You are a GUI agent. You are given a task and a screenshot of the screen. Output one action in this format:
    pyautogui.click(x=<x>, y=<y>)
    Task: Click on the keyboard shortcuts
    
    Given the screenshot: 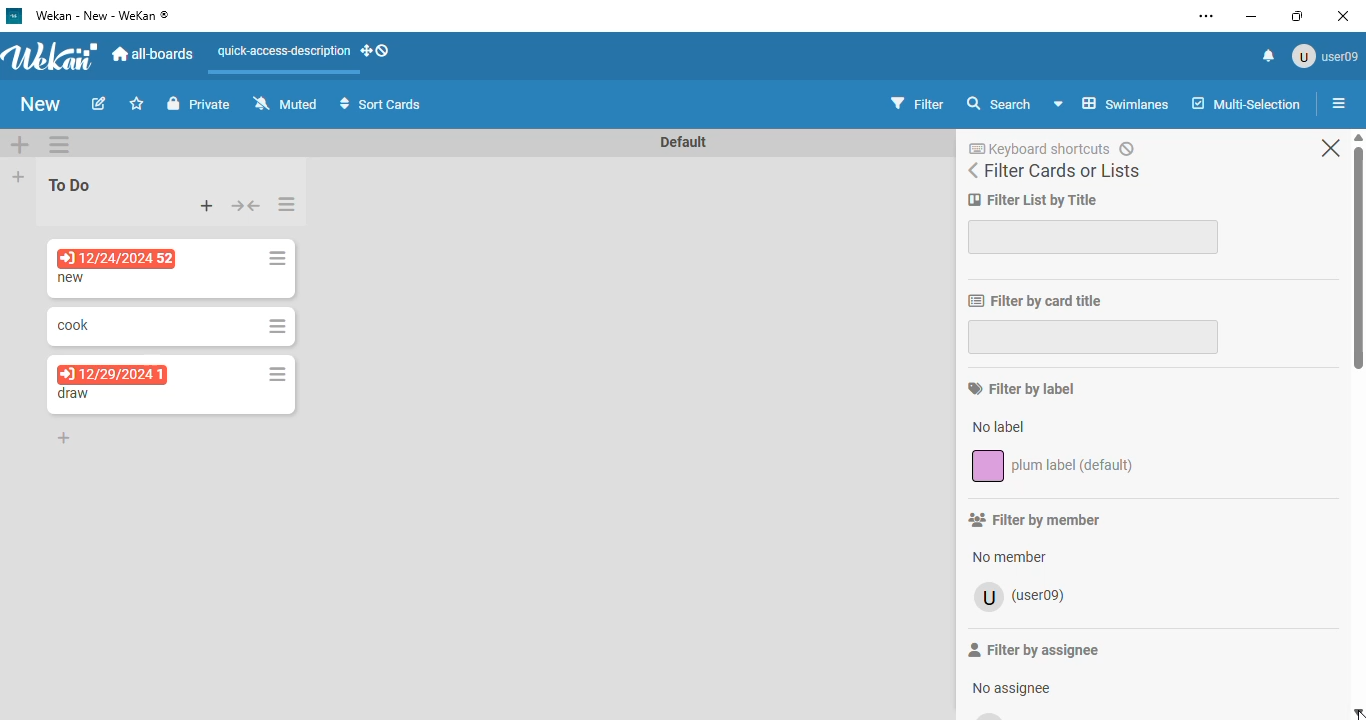 What is the action you would take?
    pyautogui.click(x=1051, y=148)
    